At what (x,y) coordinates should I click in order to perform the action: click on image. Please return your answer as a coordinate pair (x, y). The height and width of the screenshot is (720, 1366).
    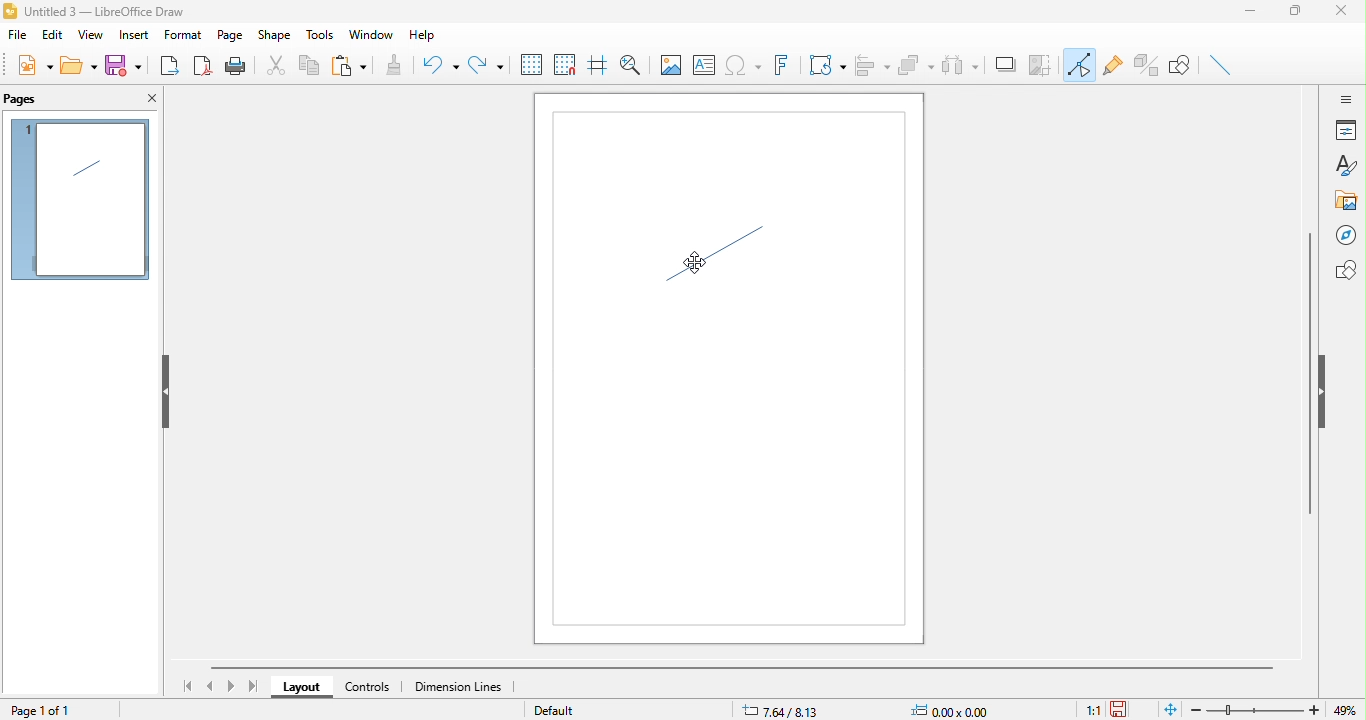
    Looking at the image, I should click on (668, 64).